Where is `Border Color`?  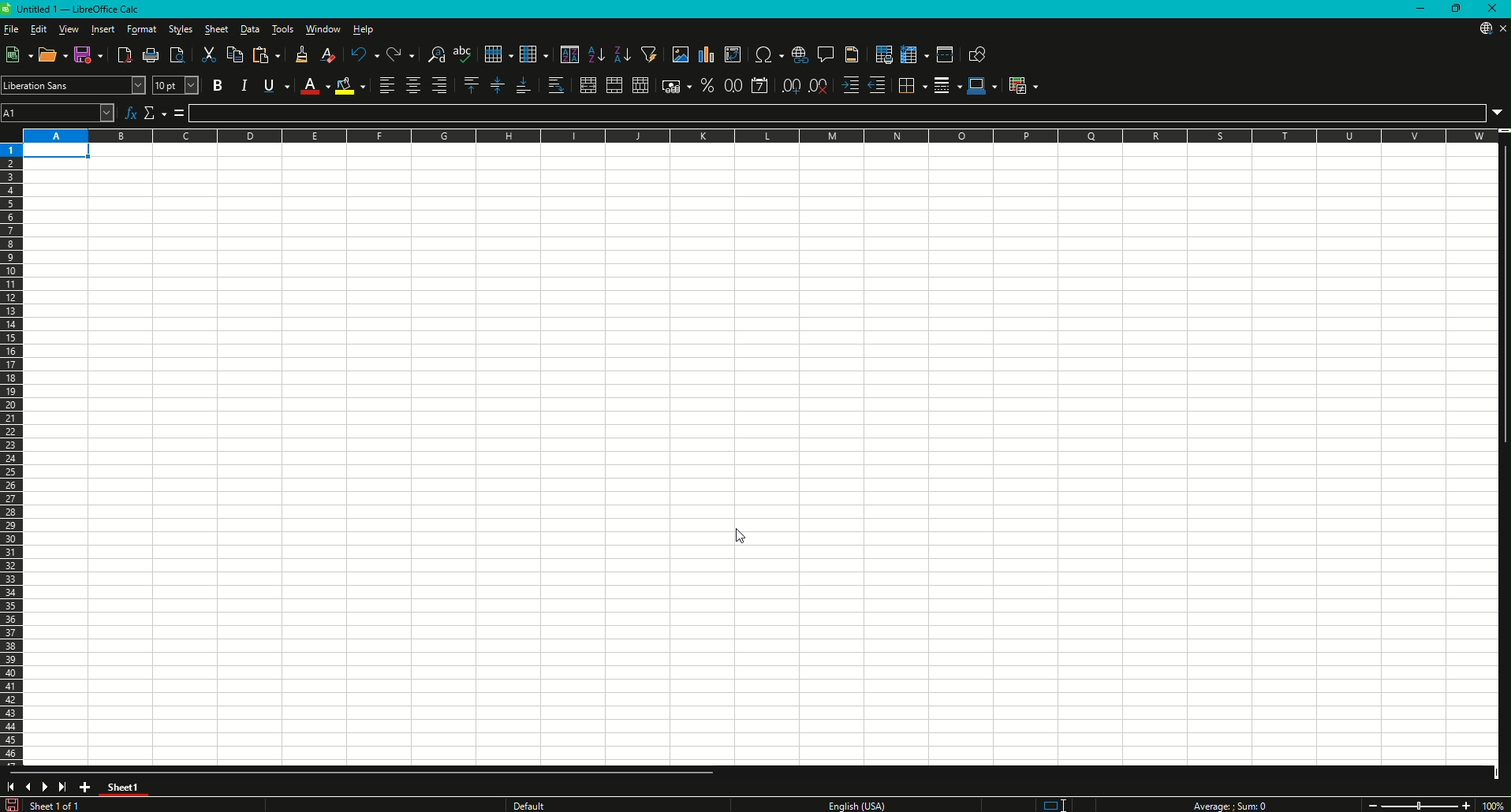
Border Color is located at coordinates (983, 86).